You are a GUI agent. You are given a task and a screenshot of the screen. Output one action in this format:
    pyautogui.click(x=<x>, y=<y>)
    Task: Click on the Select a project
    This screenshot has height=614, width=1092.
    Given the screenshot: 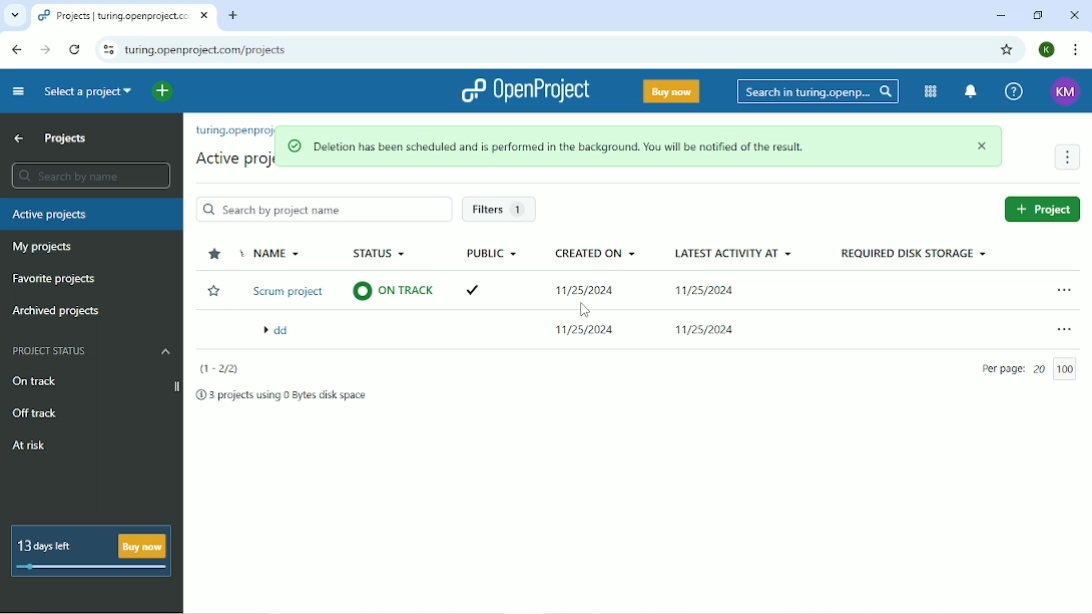 What is the action you would take?
    pyautogui.click(x=89, y=93)
    